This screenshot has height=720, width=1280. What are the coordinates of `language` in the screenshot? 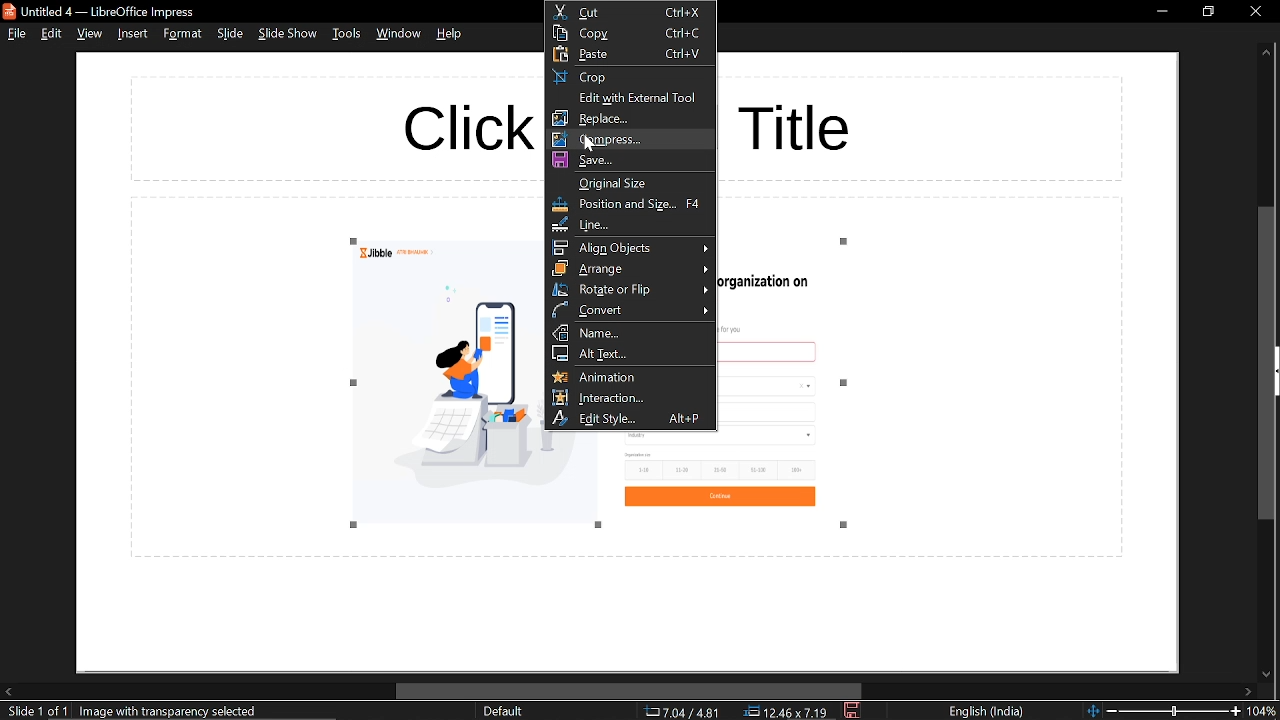 It's located at (989, 712).